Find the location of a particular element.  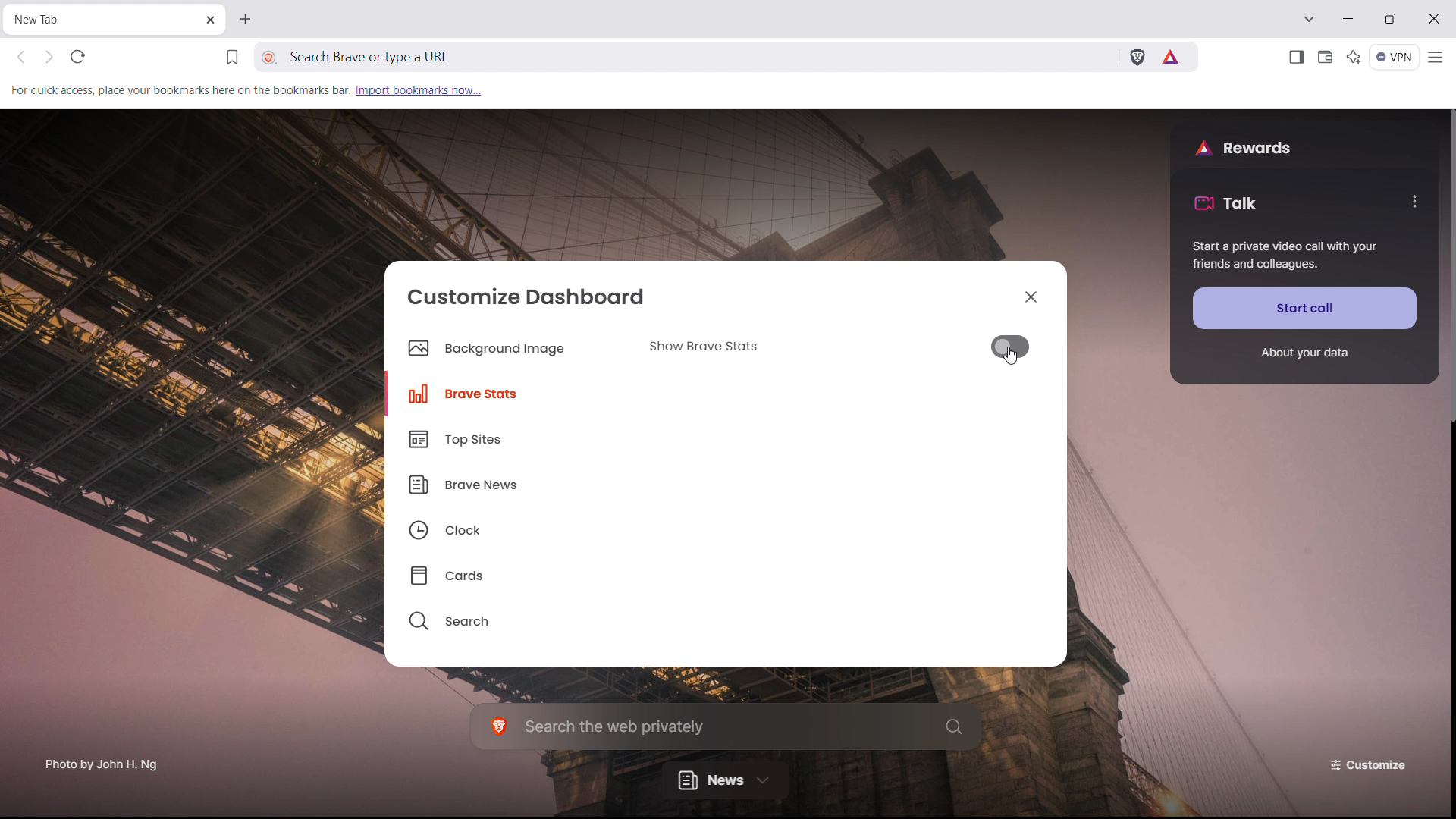

click to go back hold to see history  is located at coordinates (21, 58).